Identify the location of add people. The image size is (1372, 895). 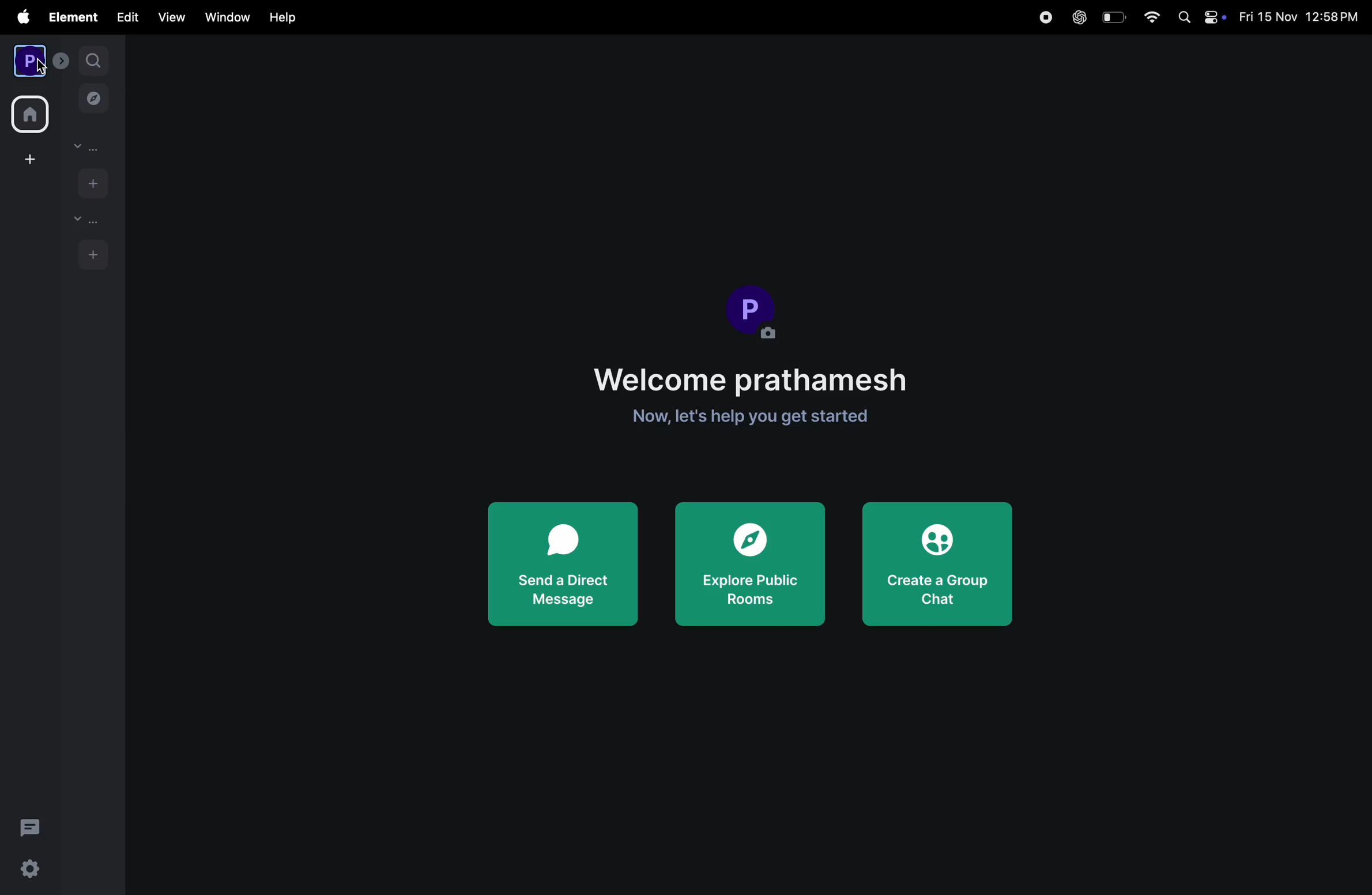
(91, 182).